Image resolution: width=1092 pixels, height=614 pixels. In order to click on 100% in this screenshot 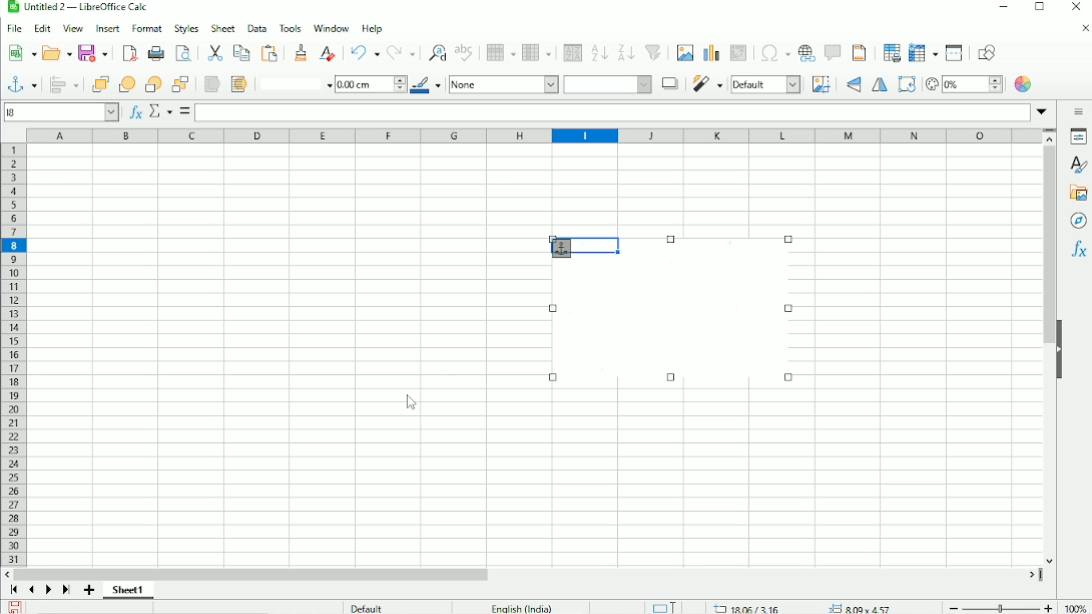, I will do `click(1077, 608)`.